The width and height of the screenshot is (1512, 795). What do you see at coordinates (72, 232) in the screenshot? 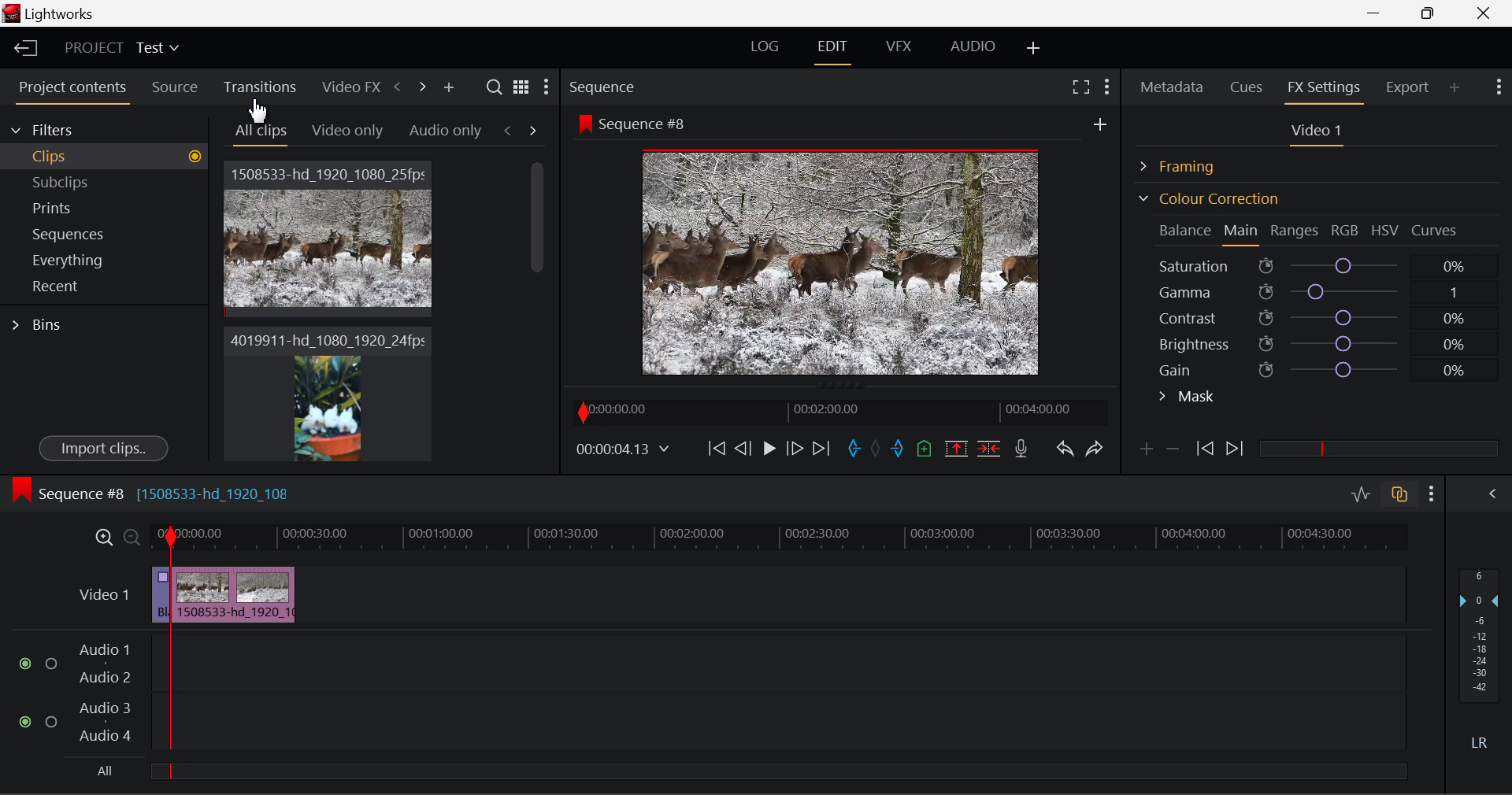
I see `Sequences` at bounding box center [72, 232].